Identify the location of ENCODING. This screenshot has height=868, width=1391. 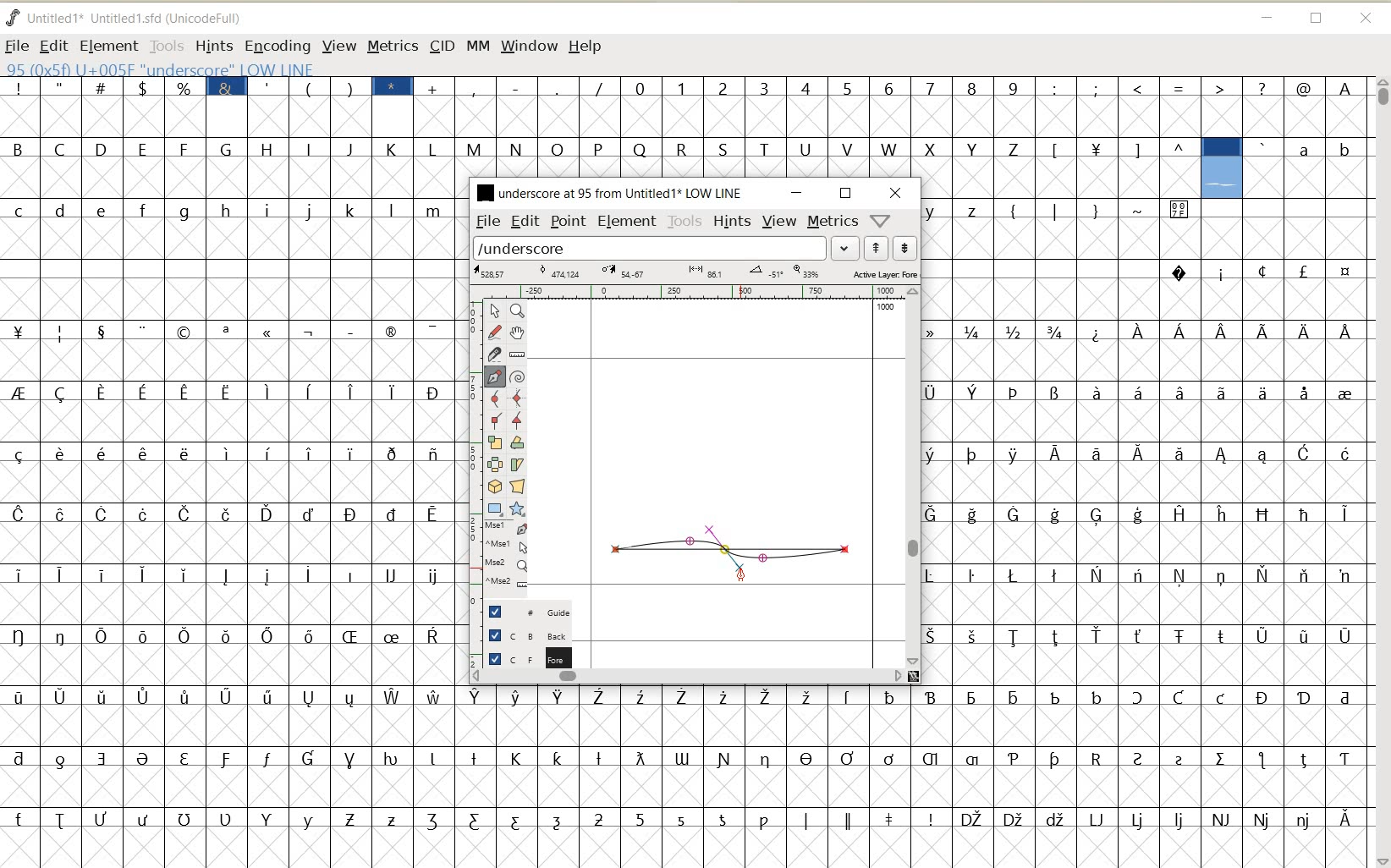
(277, 47).